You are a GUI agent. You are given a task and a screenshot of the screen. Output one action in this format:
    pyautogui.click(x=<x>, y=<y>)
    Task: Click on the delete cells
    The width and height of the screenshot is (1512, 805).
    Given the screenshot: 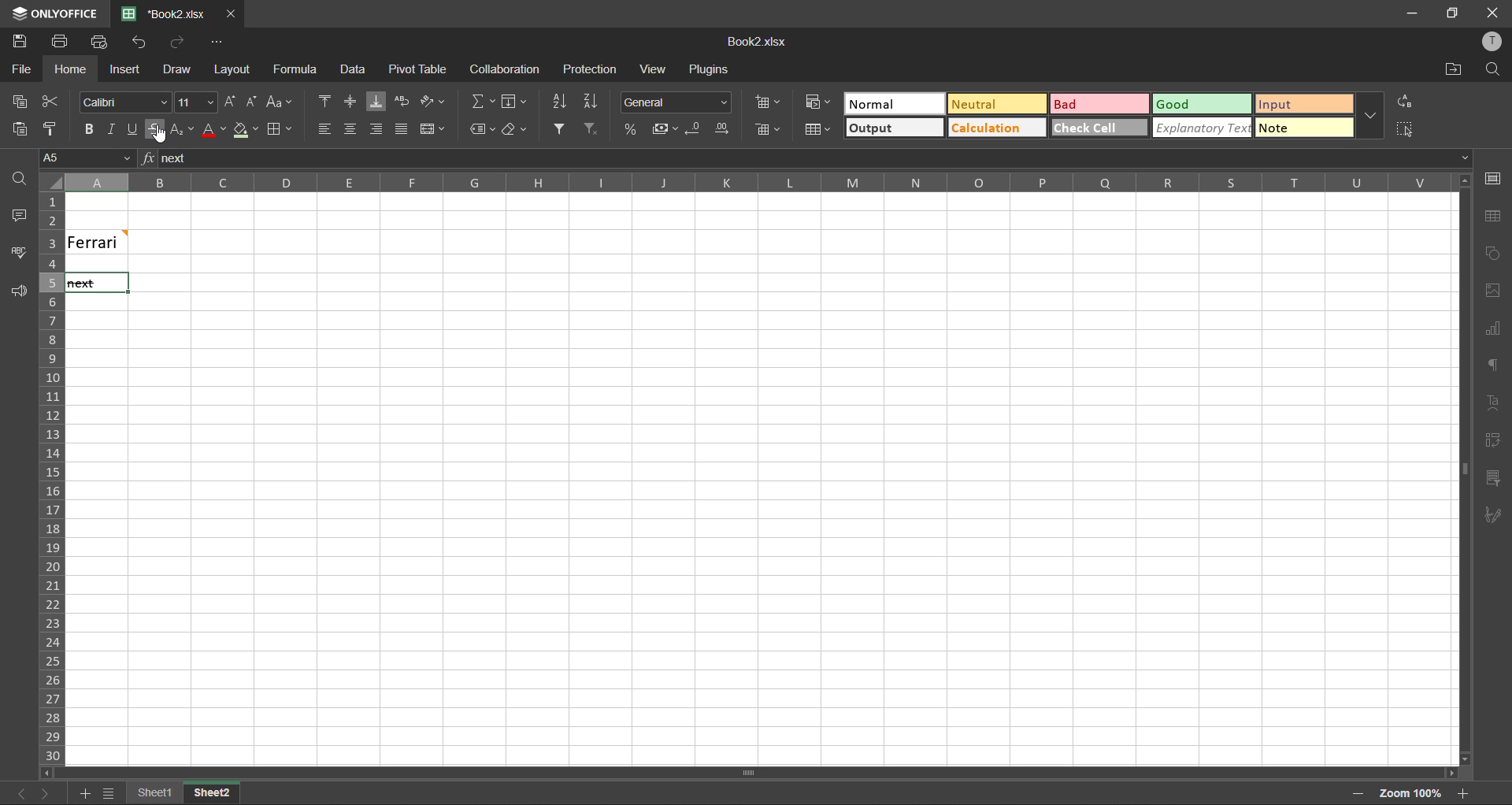 What is the action you would take?
    pyautogui.click(x=768, y=129)
    